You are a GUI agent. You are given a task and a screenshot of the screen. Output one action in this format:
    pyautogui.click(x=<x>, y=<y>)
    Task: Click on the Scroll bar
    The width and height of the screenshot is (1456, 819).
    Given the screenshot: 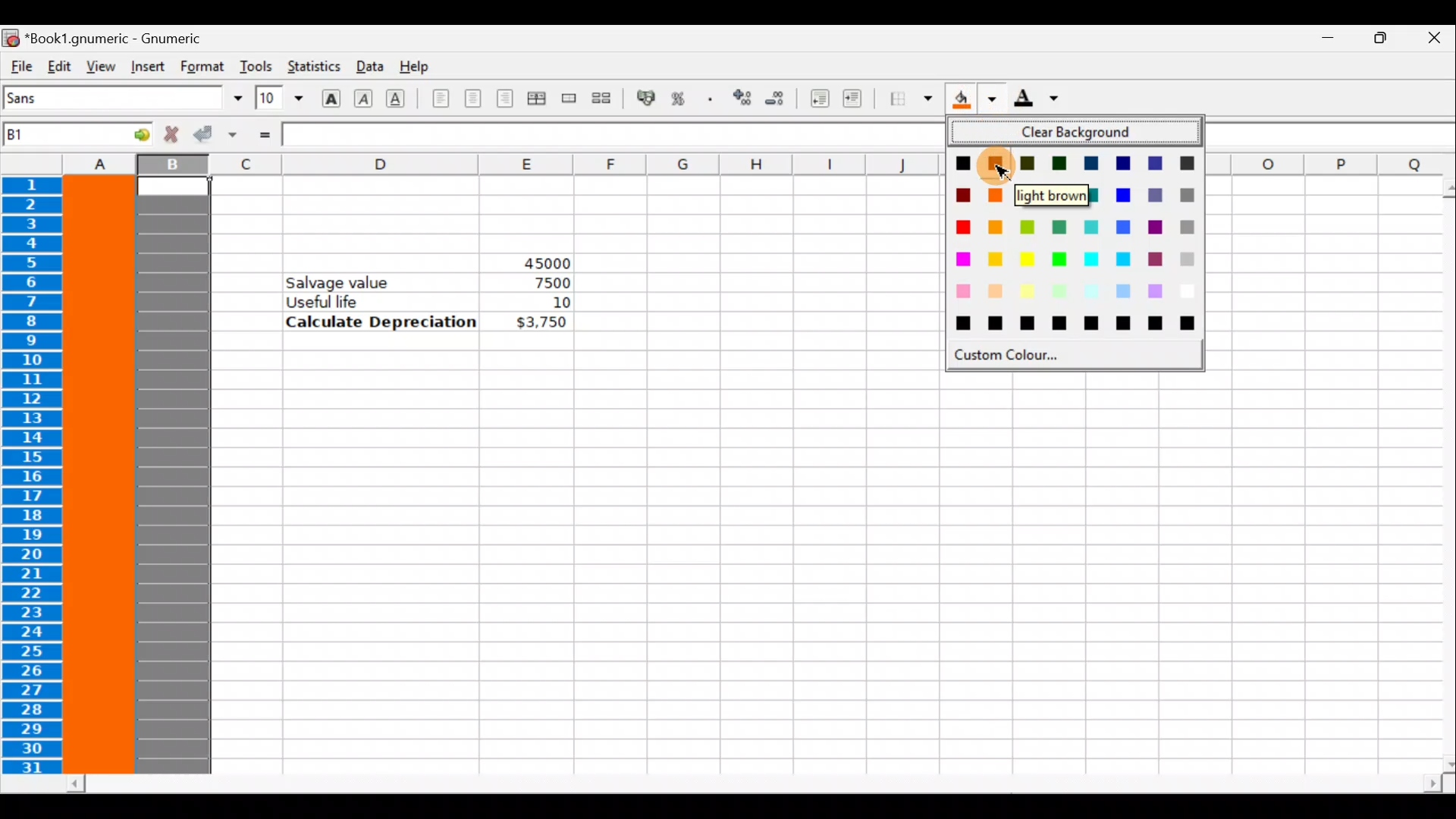 What is the action you would take?
    pyautogui.click(x=755, y=784)
    